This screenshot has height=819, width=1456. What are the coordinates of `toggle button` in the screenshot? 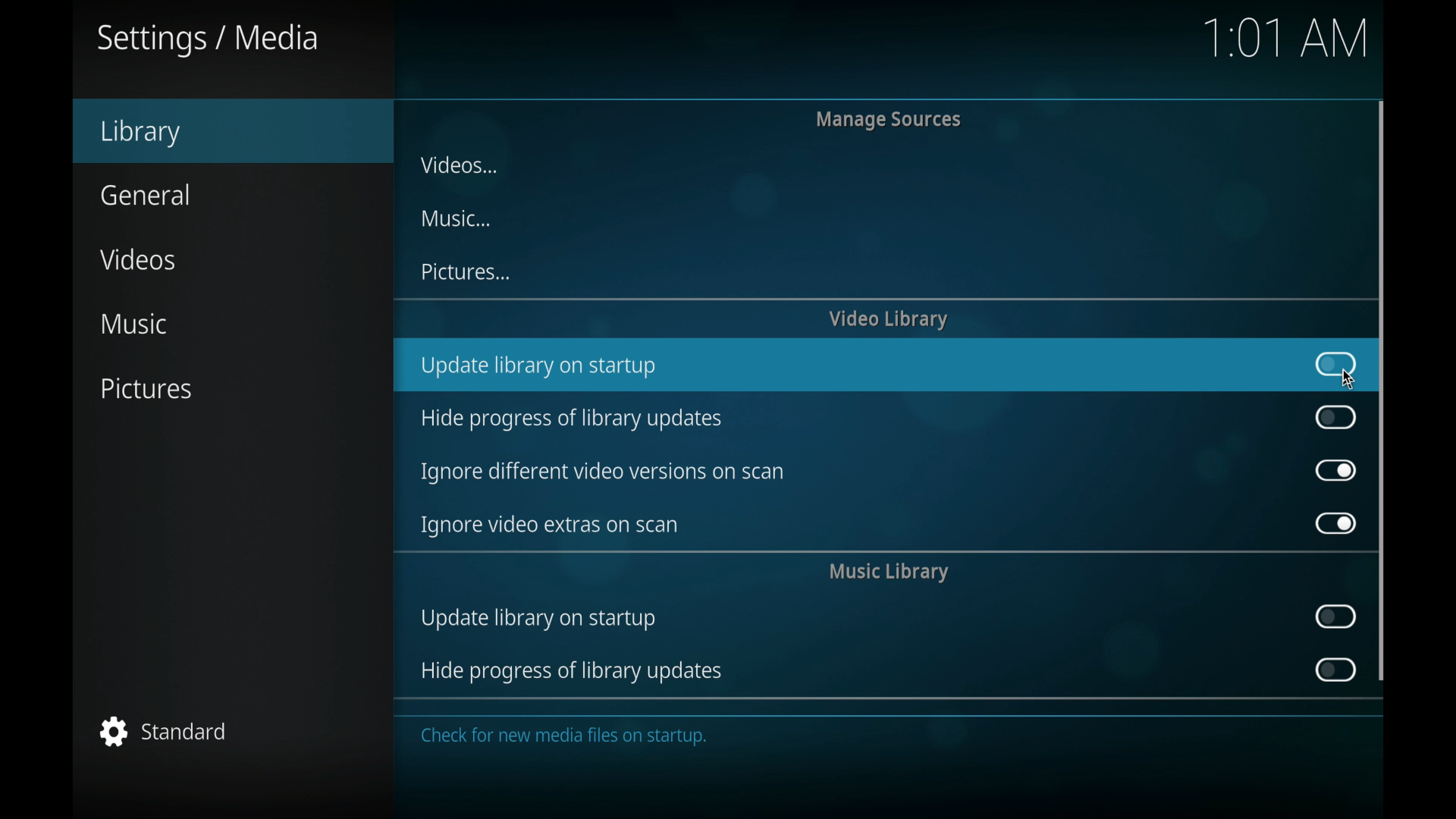 It's located at (1336, 416).